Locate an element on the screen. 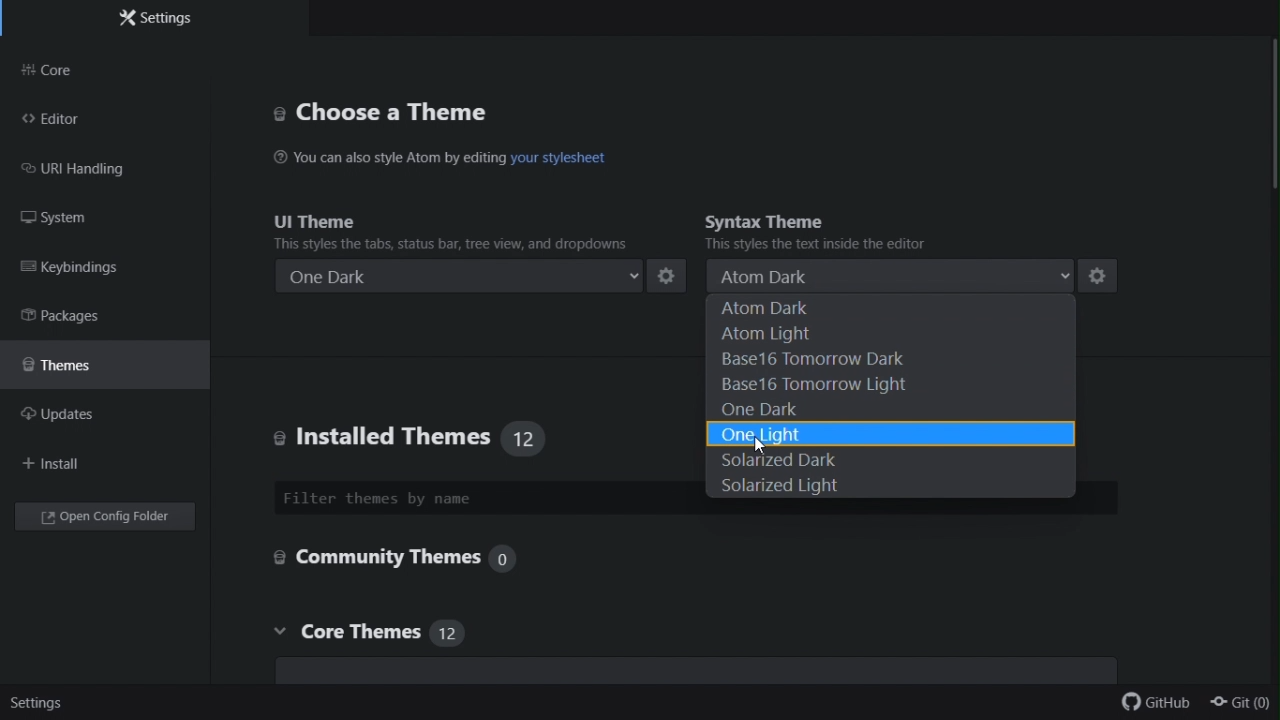 This screenshot has height=720, width=1280. Solarized dark is located at coordinates (888, 458).